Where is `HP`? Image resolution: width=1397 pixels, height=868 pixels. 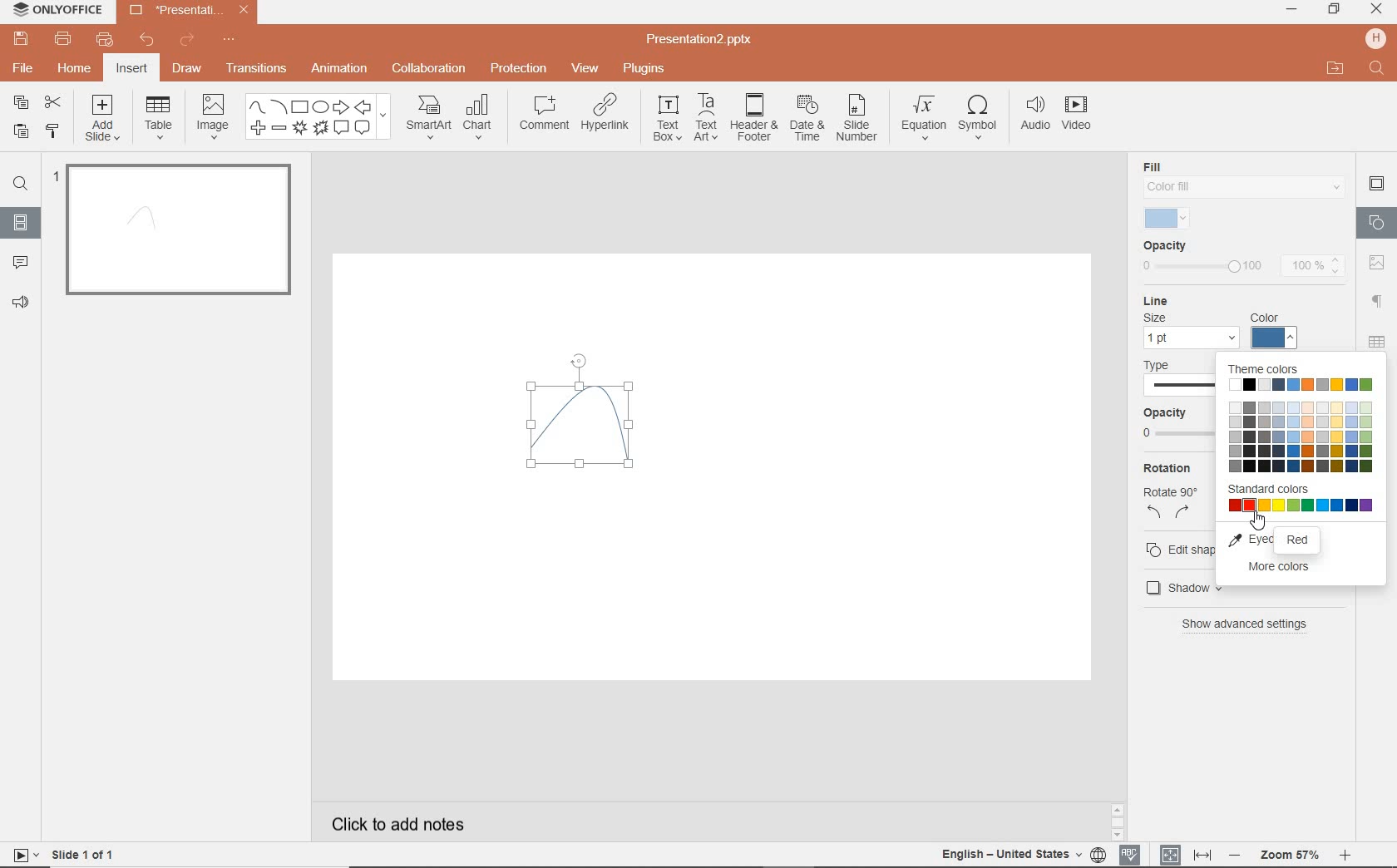 HP is located at coordinates (1374, 37).